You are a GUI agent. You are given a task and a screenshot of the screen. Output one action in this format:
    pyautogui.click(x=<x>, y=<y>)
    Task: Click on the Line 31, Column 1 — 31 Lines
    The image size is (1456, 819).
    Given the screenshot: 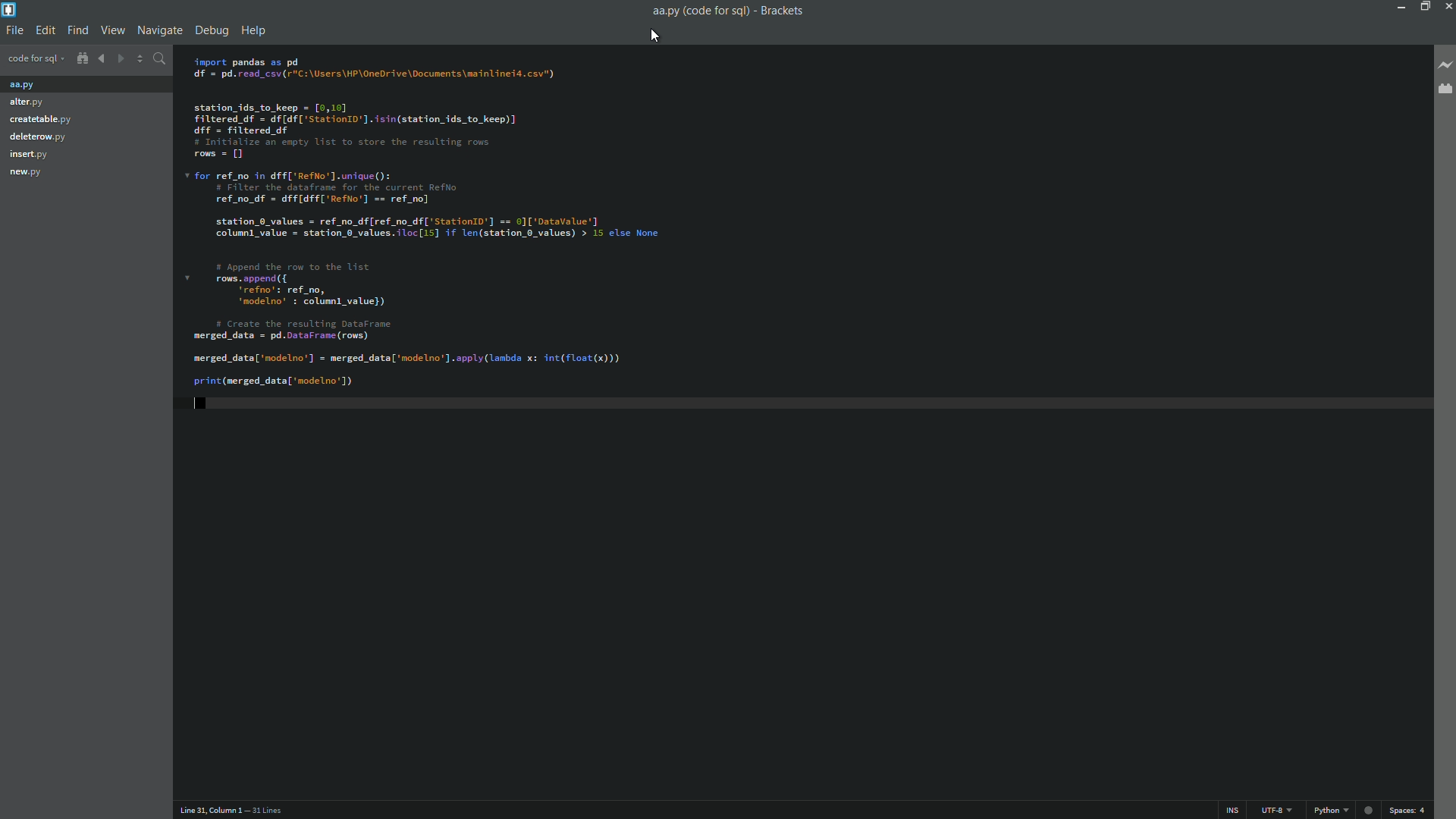 What is the action you would take?
    pyautogui.click(x=237, y=808)
    